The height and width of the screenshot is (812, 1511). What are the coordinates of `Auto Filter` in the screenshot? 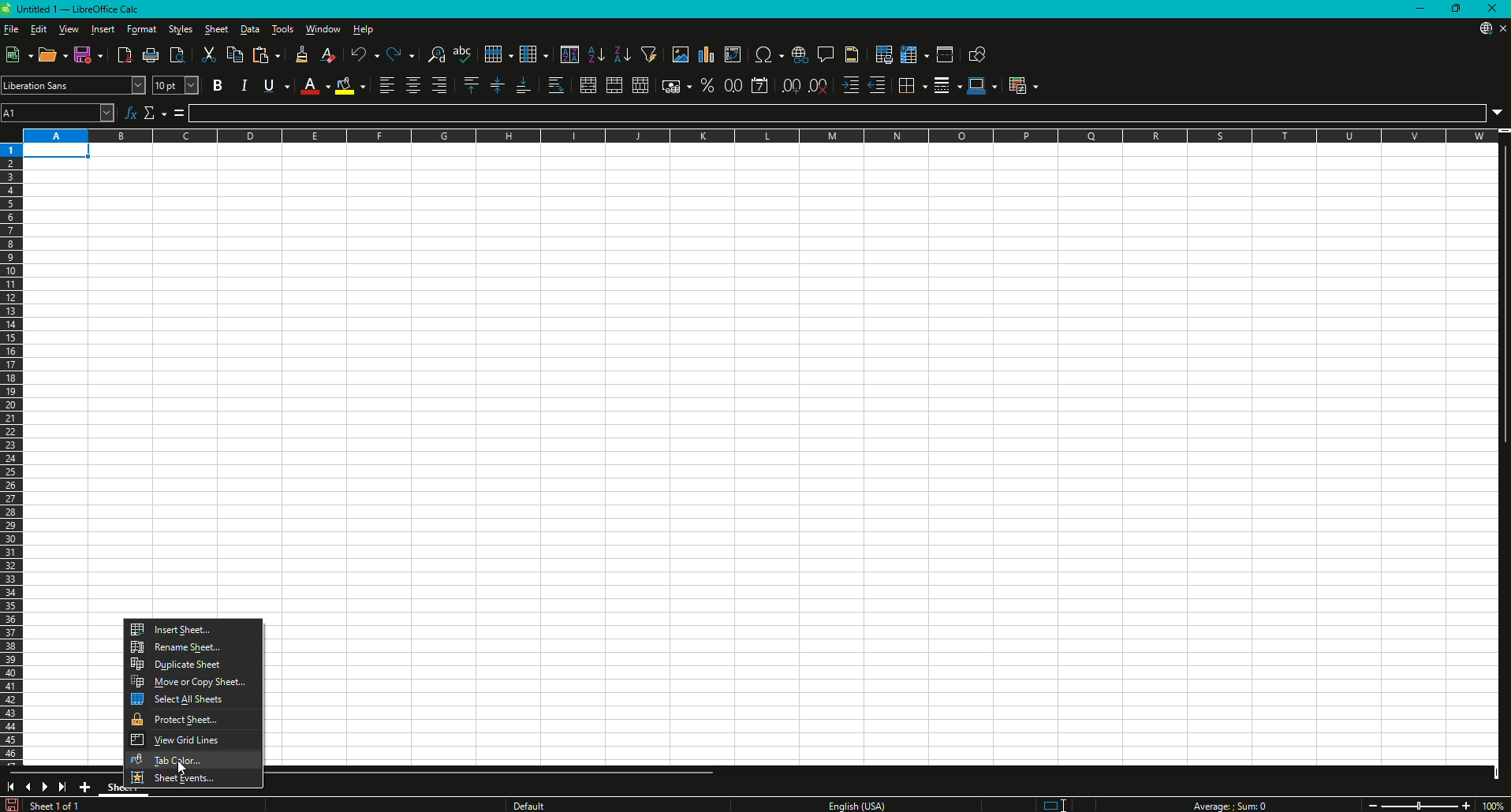 It's located at (650, 54).